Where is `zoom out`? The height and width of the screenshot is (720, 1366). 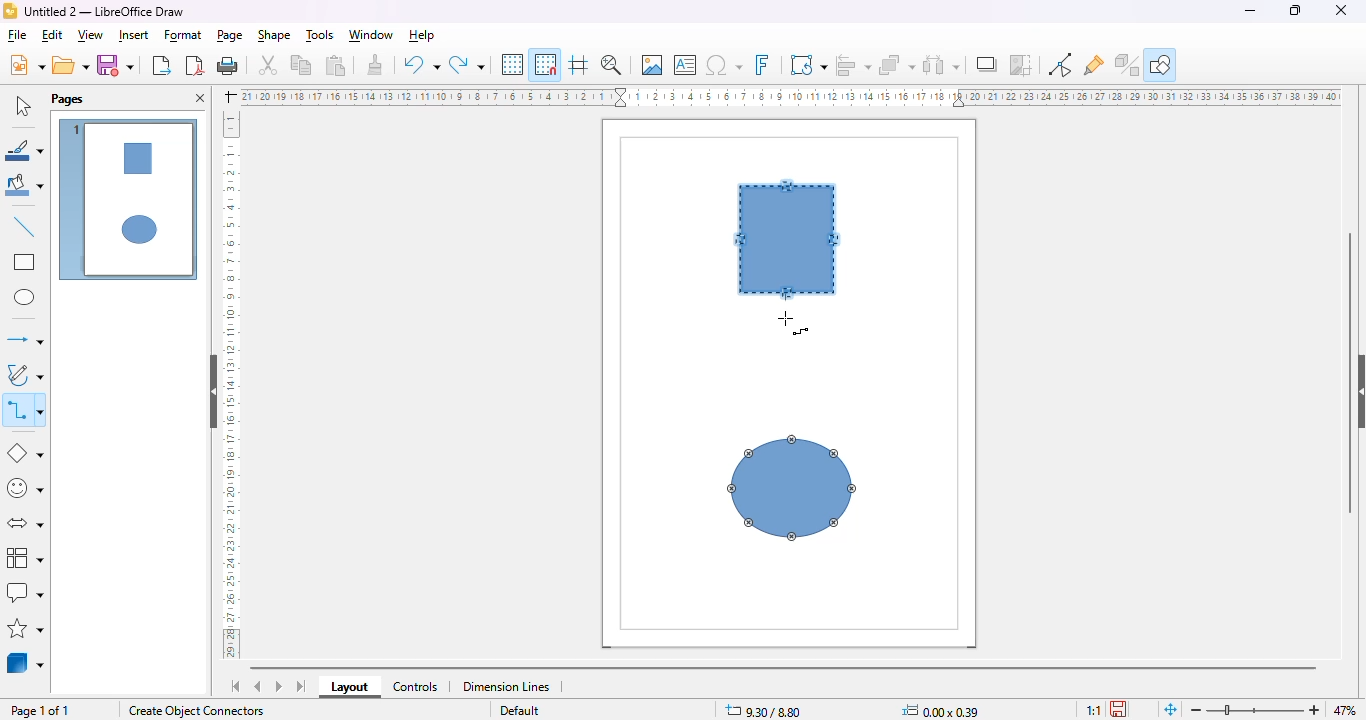 zoom out is located at coordinates (1198, 710).